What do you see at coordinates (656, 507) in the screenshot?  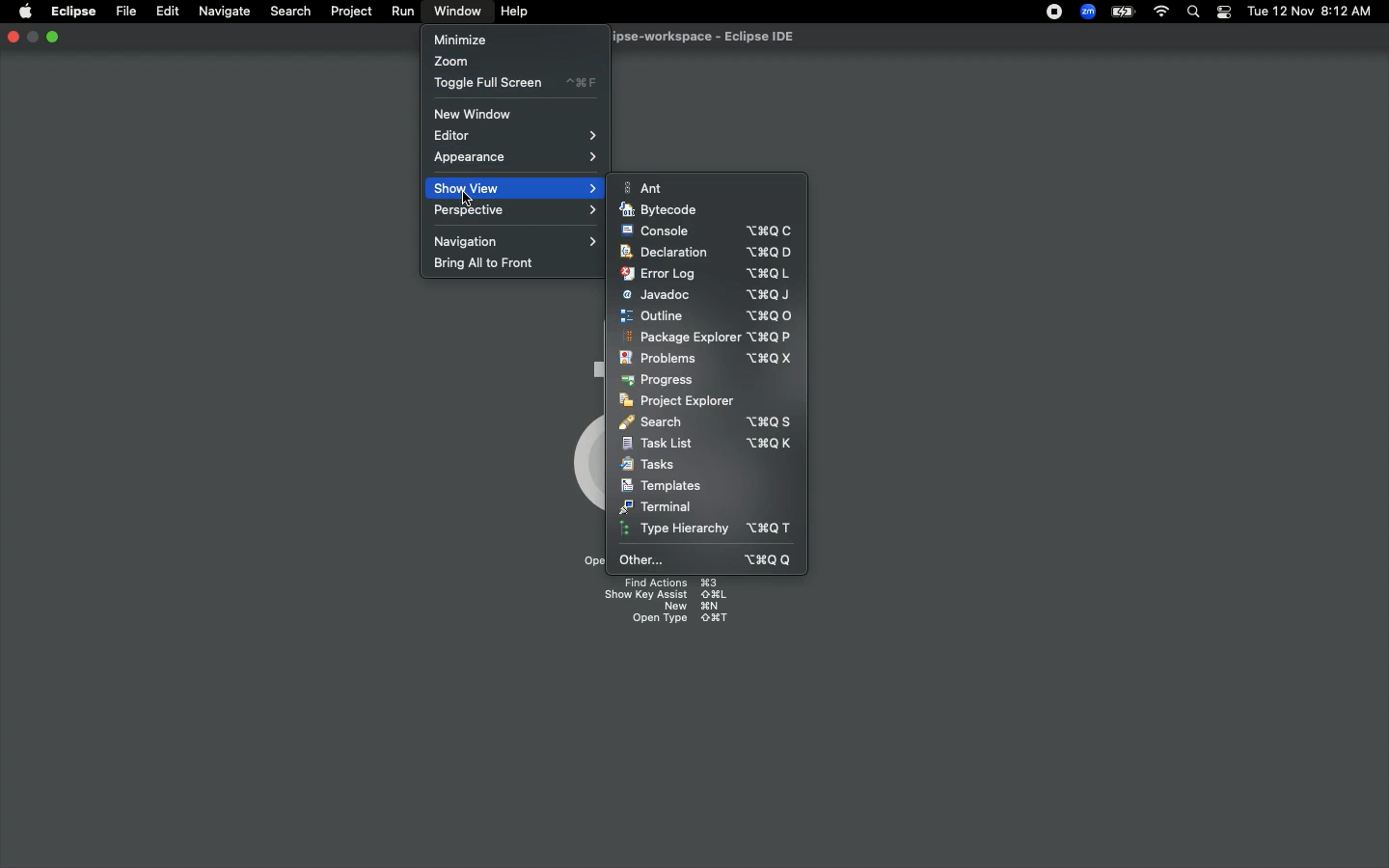 I see `Terminal` at bounding box center [656, 507].